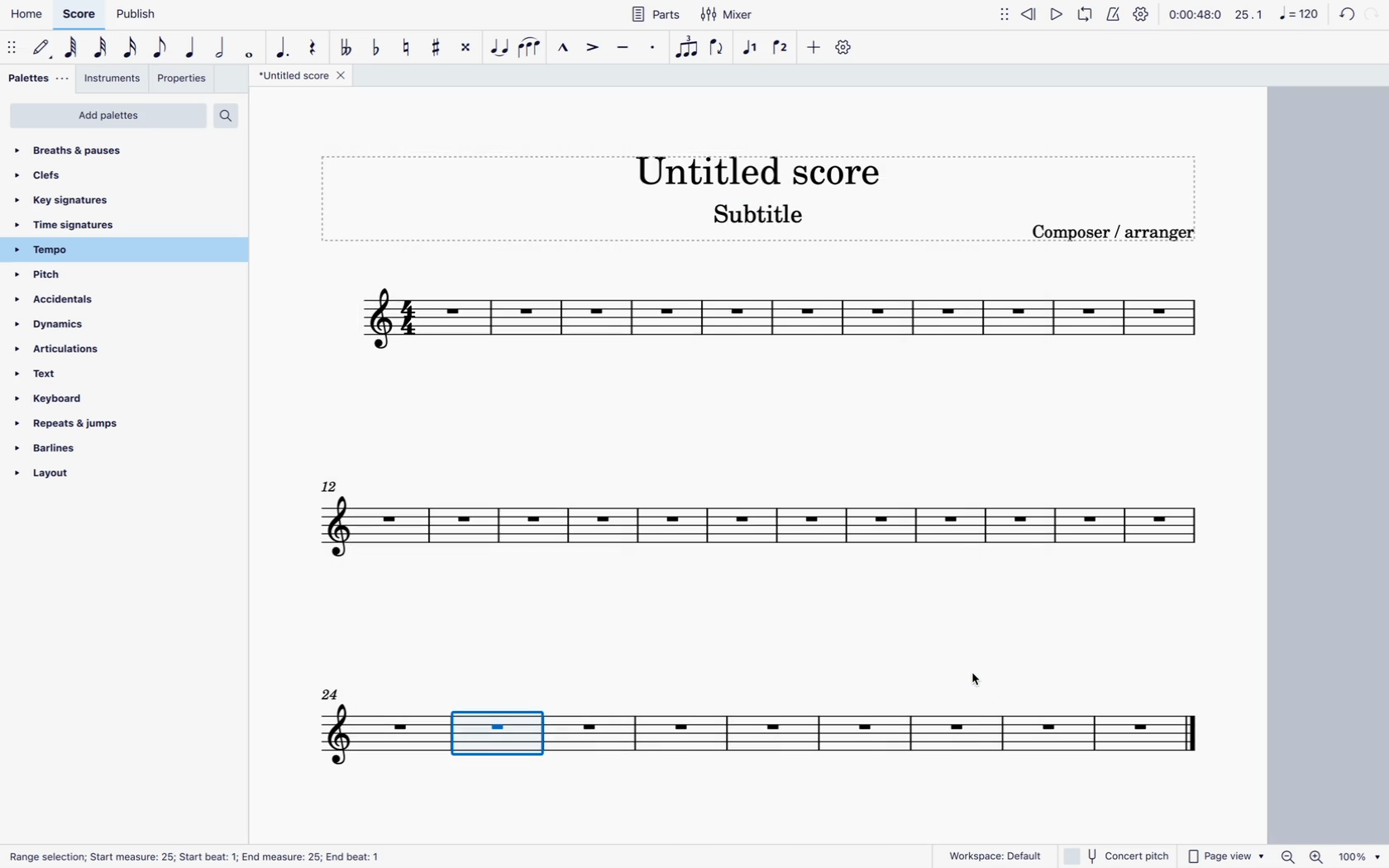 This screenshot has width=1389, height=868. What do you see at coordinates (1195, 15) in the screenshot?
I see `time` at bounding box center [1195, 15].